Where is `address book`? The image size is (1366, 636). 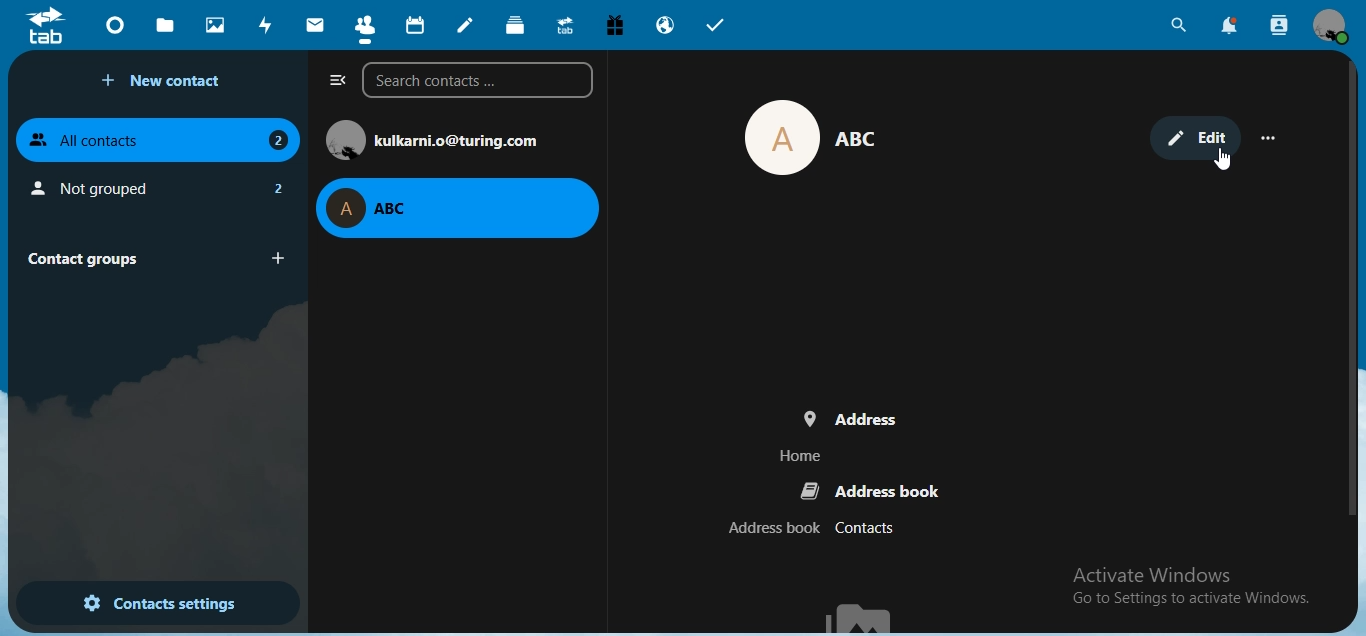
address book is located at coordinates (872, 491).